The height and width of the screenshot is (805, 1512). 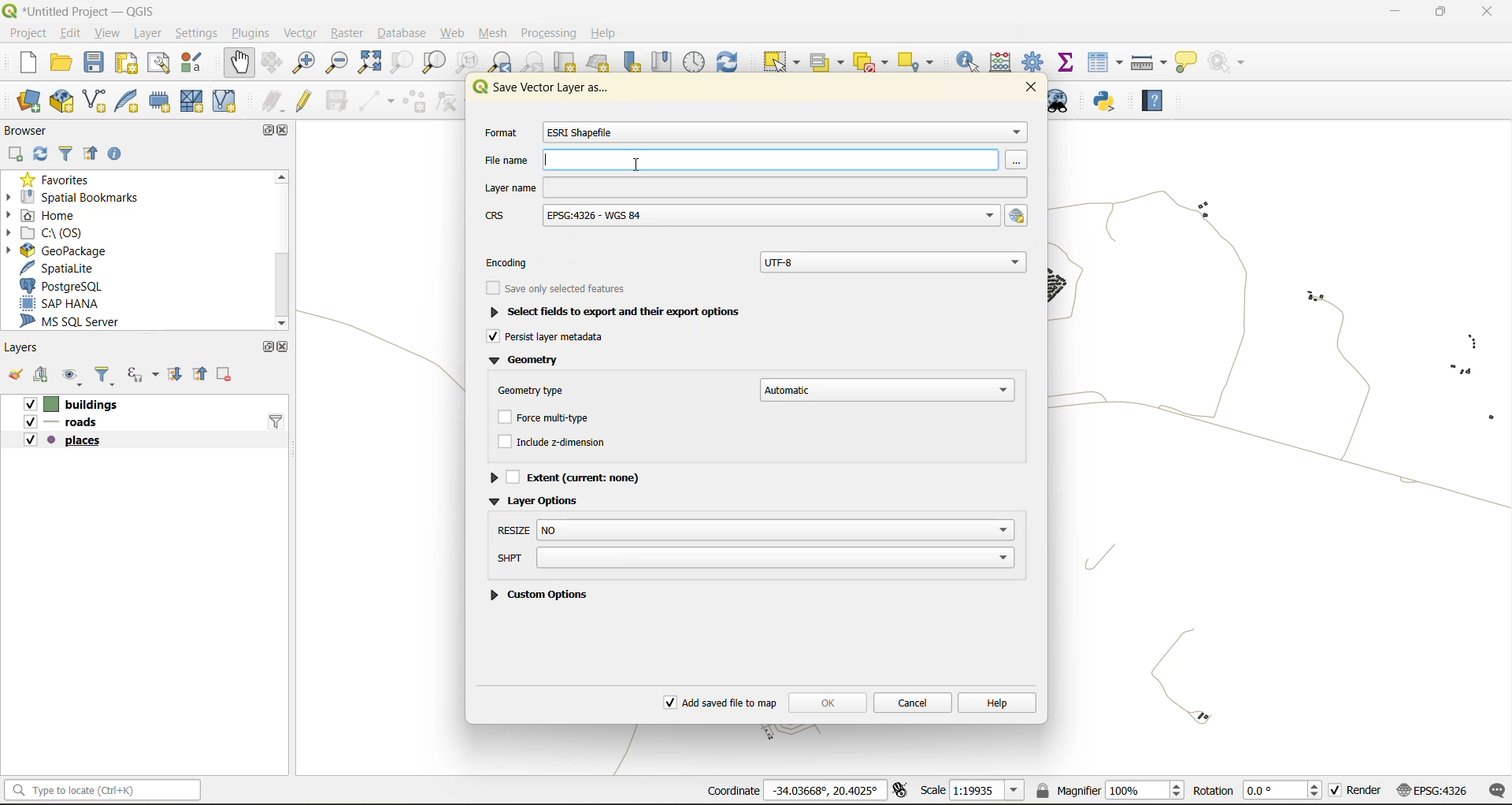 What do you see at coordinates (78, 403) in the screenshot?
I see `Vv [| buildings` at bounding box center [78, 403].